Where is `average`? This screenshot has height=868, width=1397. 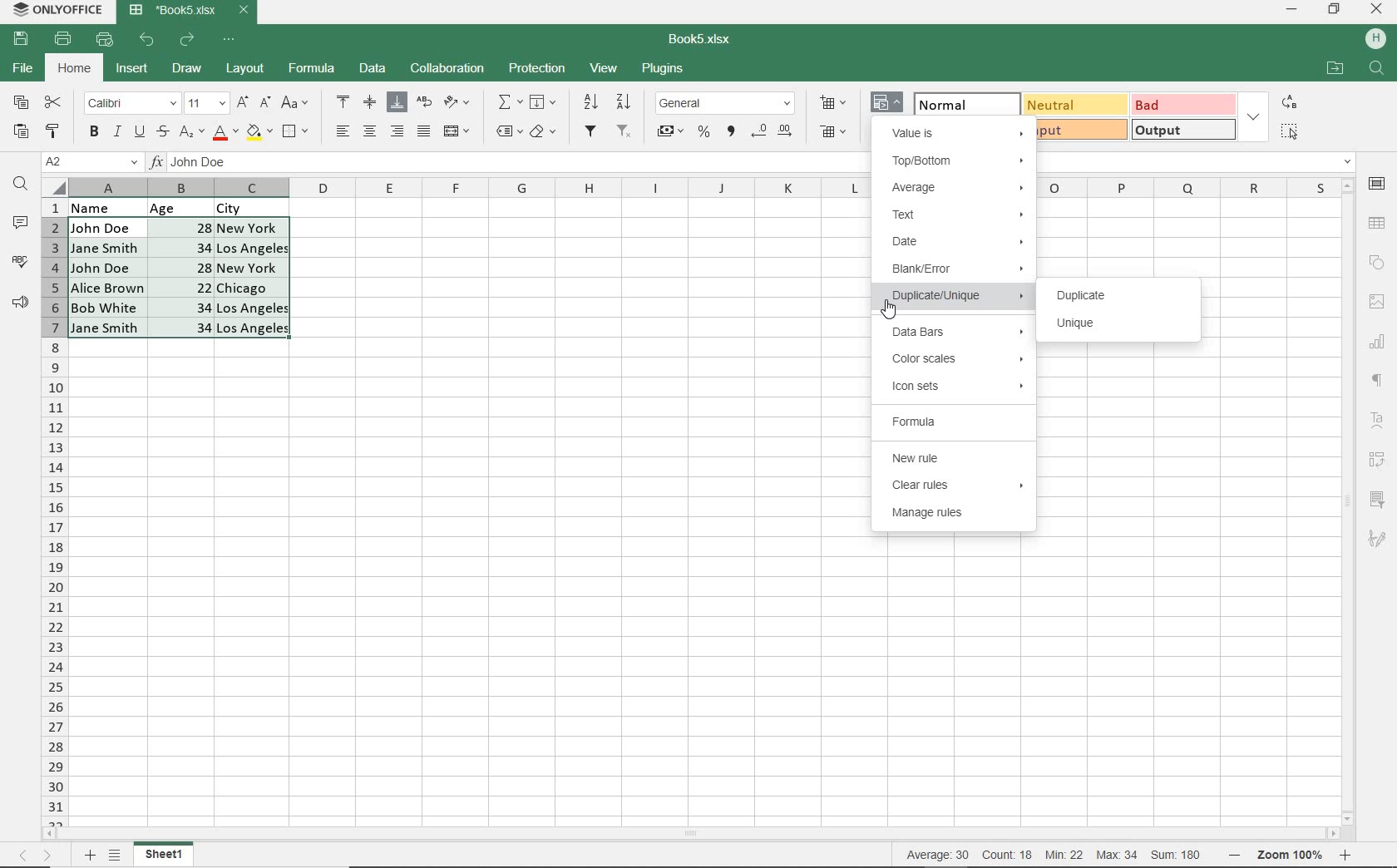
average is located at coordinates (940, 855).